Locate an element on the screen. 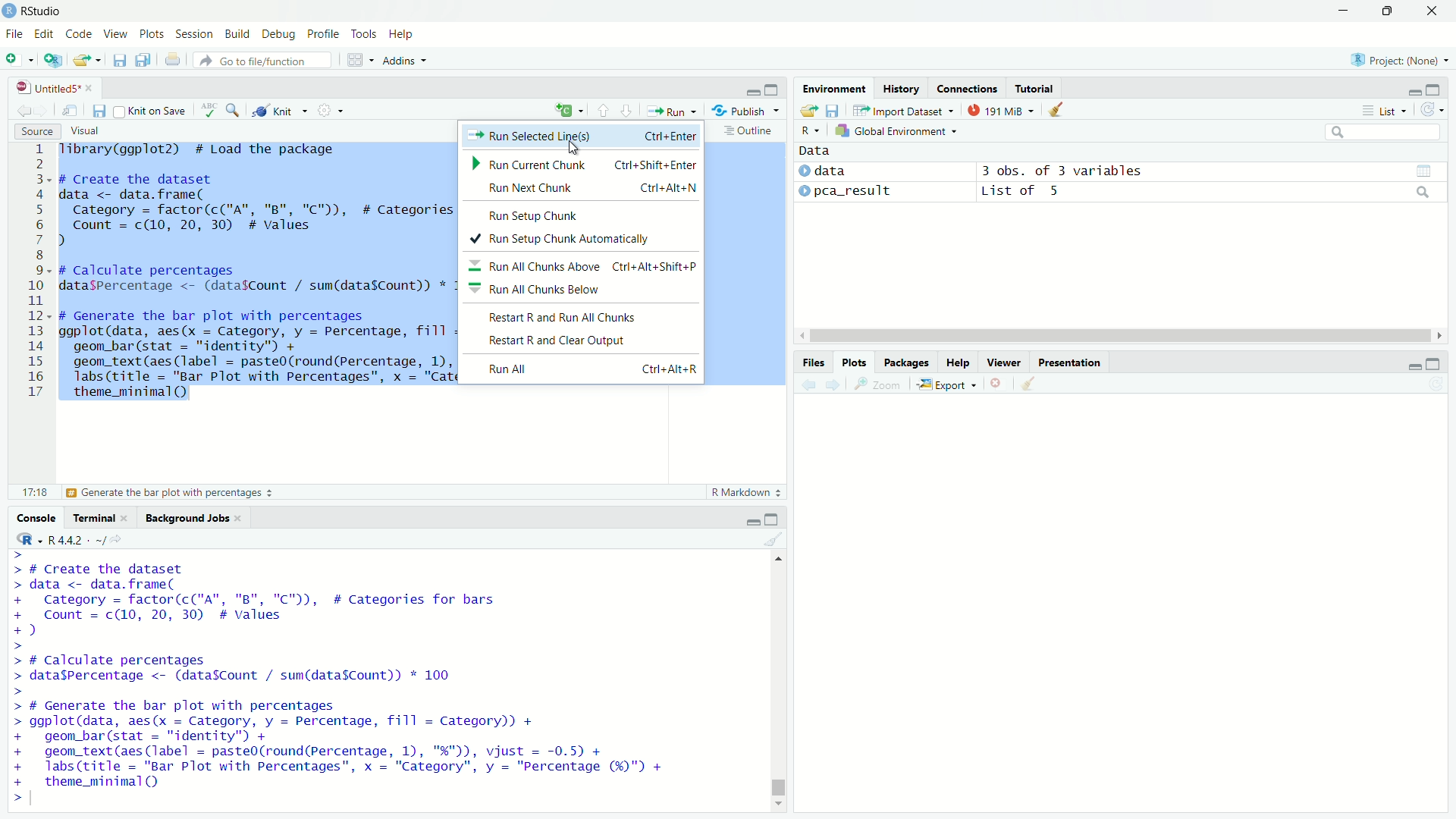 Image resolution: width=1456 pixels, height=819 pixels. run is located at coordinates (669, 111).